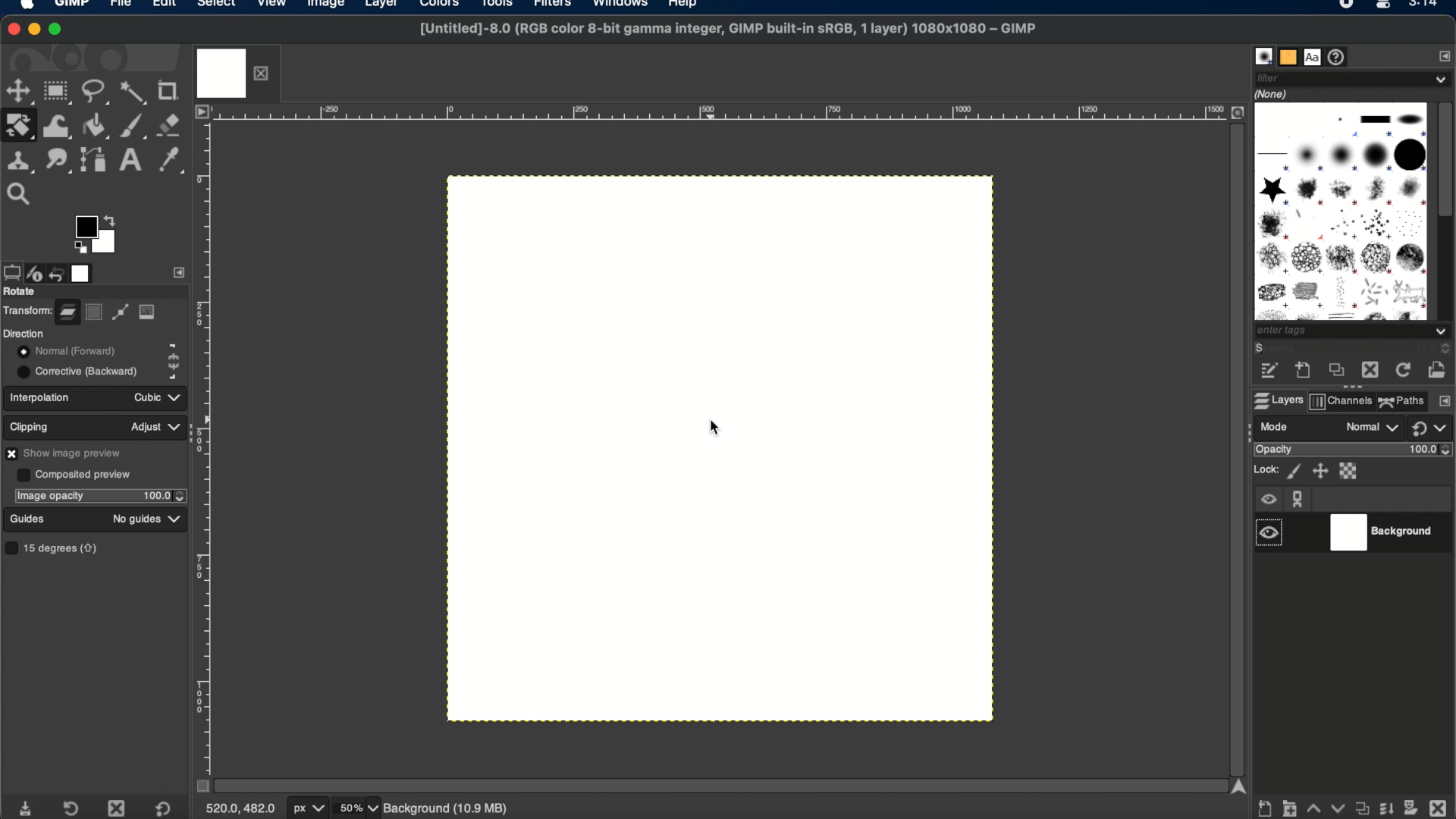 This screenshot has width=1456, height=819. Describe the element at coordinates (1426, 8) in the screenshot. I see `time` at that location.